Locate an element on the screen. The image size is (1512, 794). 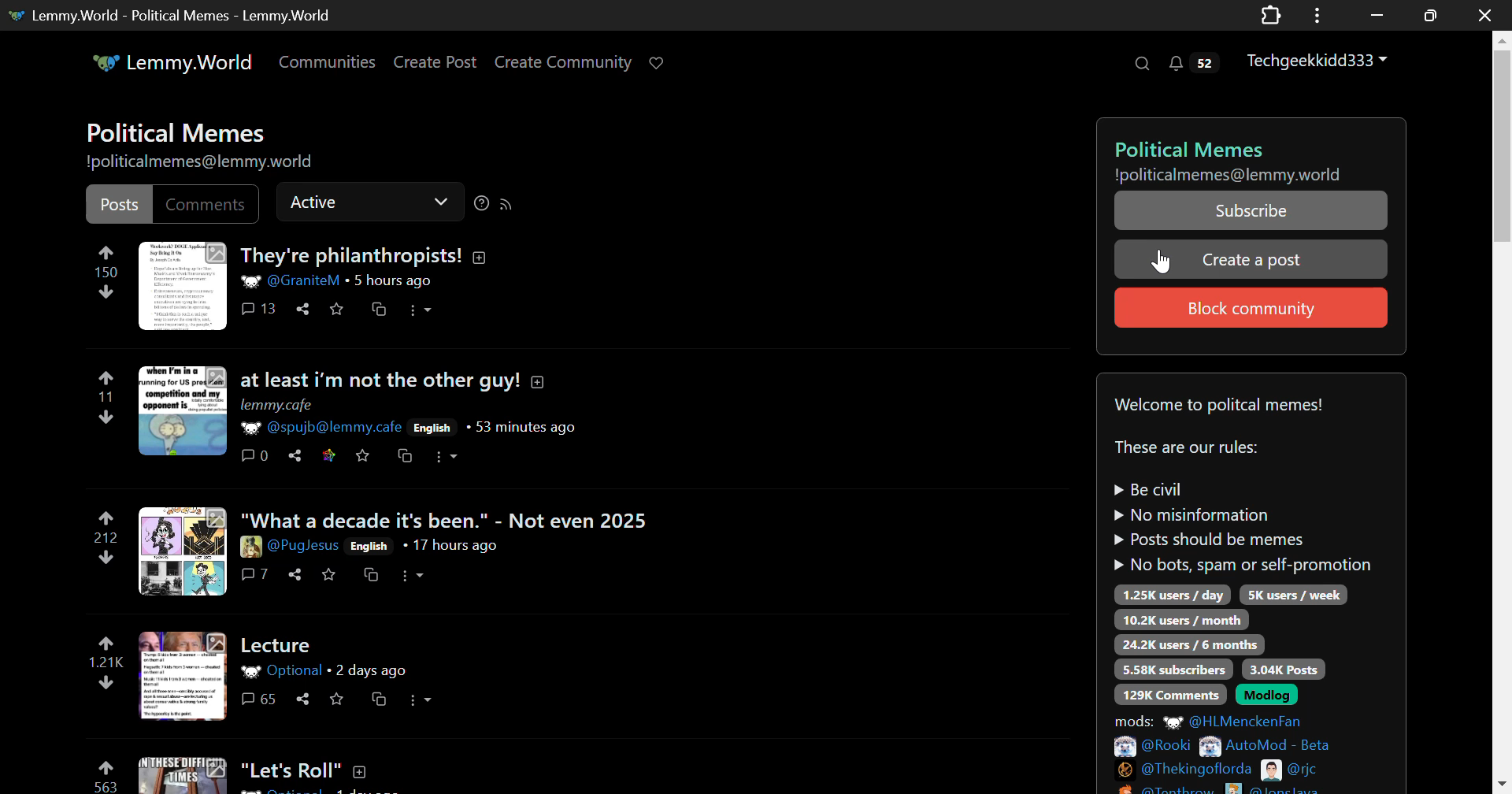
Save is located at coordinates (335, 700).